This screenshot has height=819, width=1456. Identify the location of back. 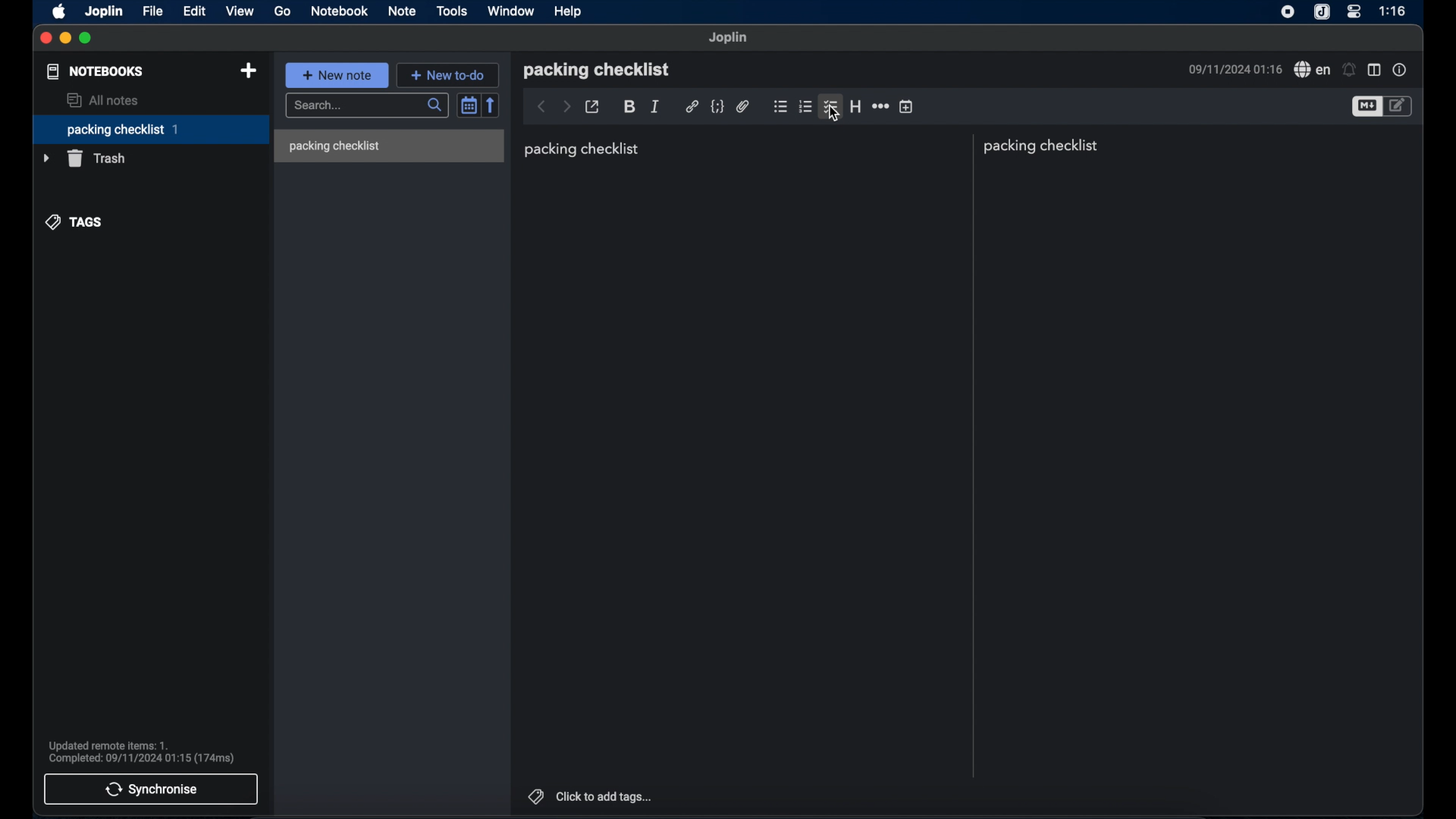
(541, 107).